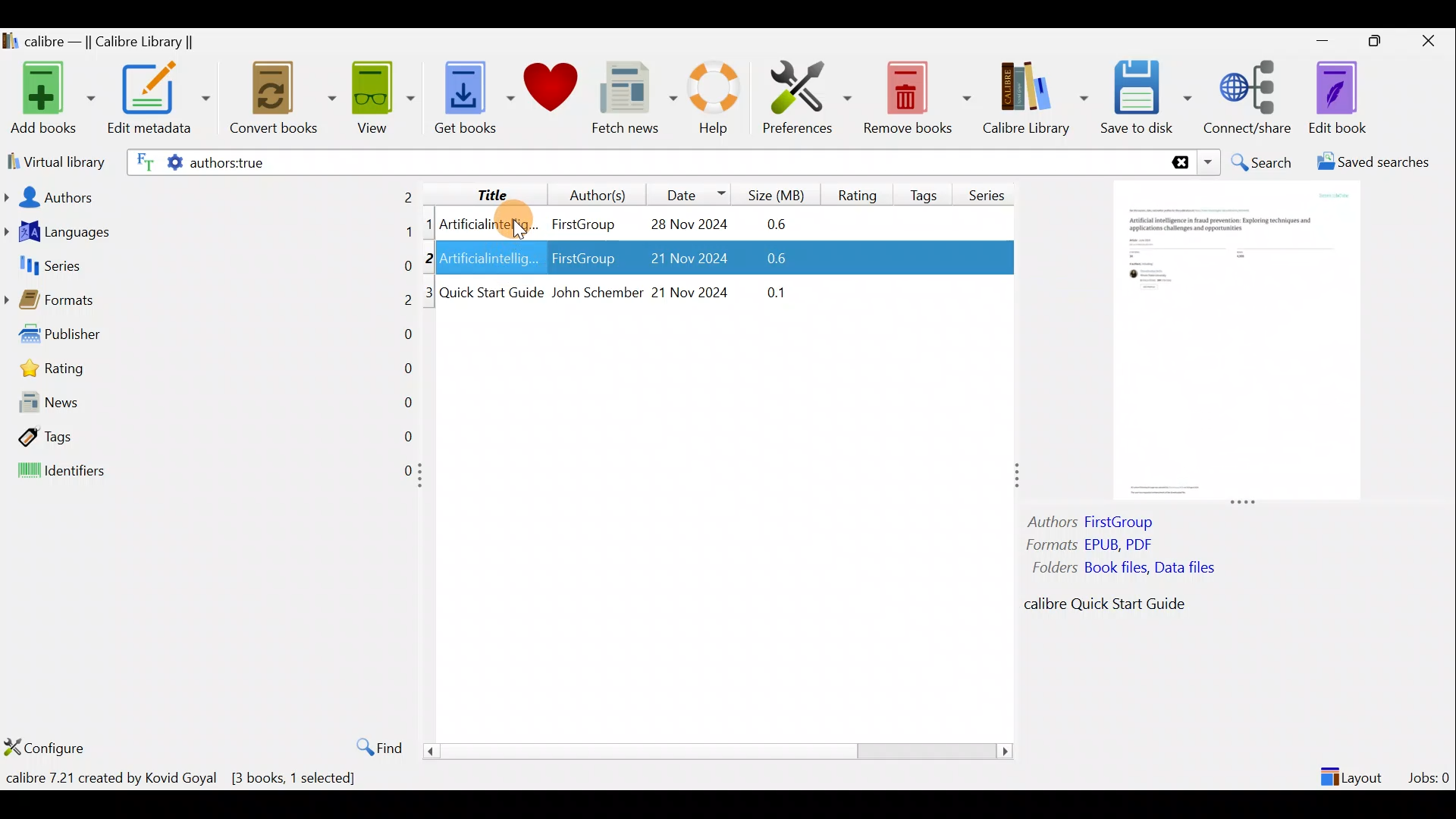 The width and height of the screenshot is (1456, 819). What do you see at coordinates (381, 96) in the screenshot?
I see `View` at bounding box center [381, 96].